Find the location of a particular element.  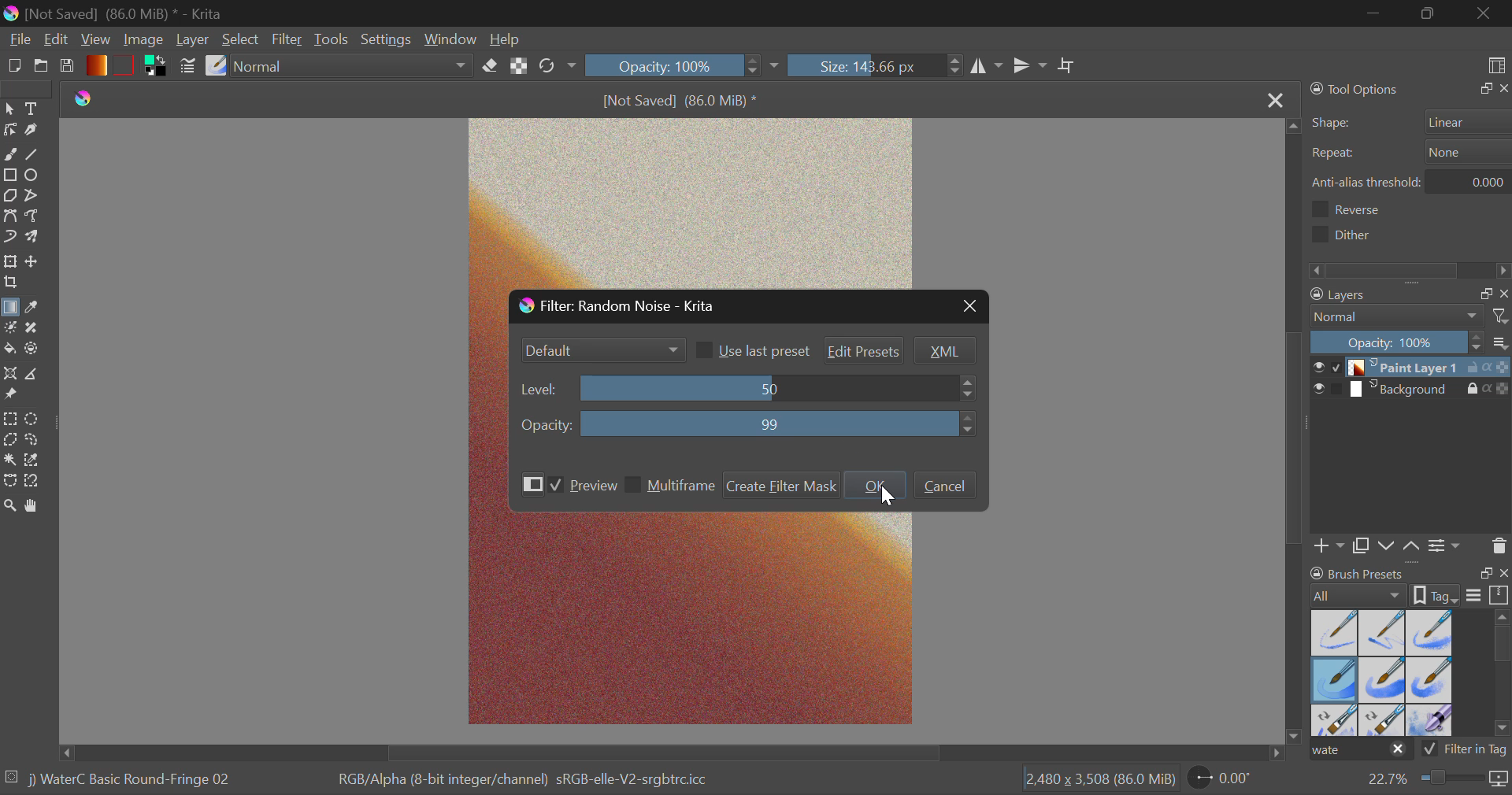

lock is located at coordinates (1475, 369).